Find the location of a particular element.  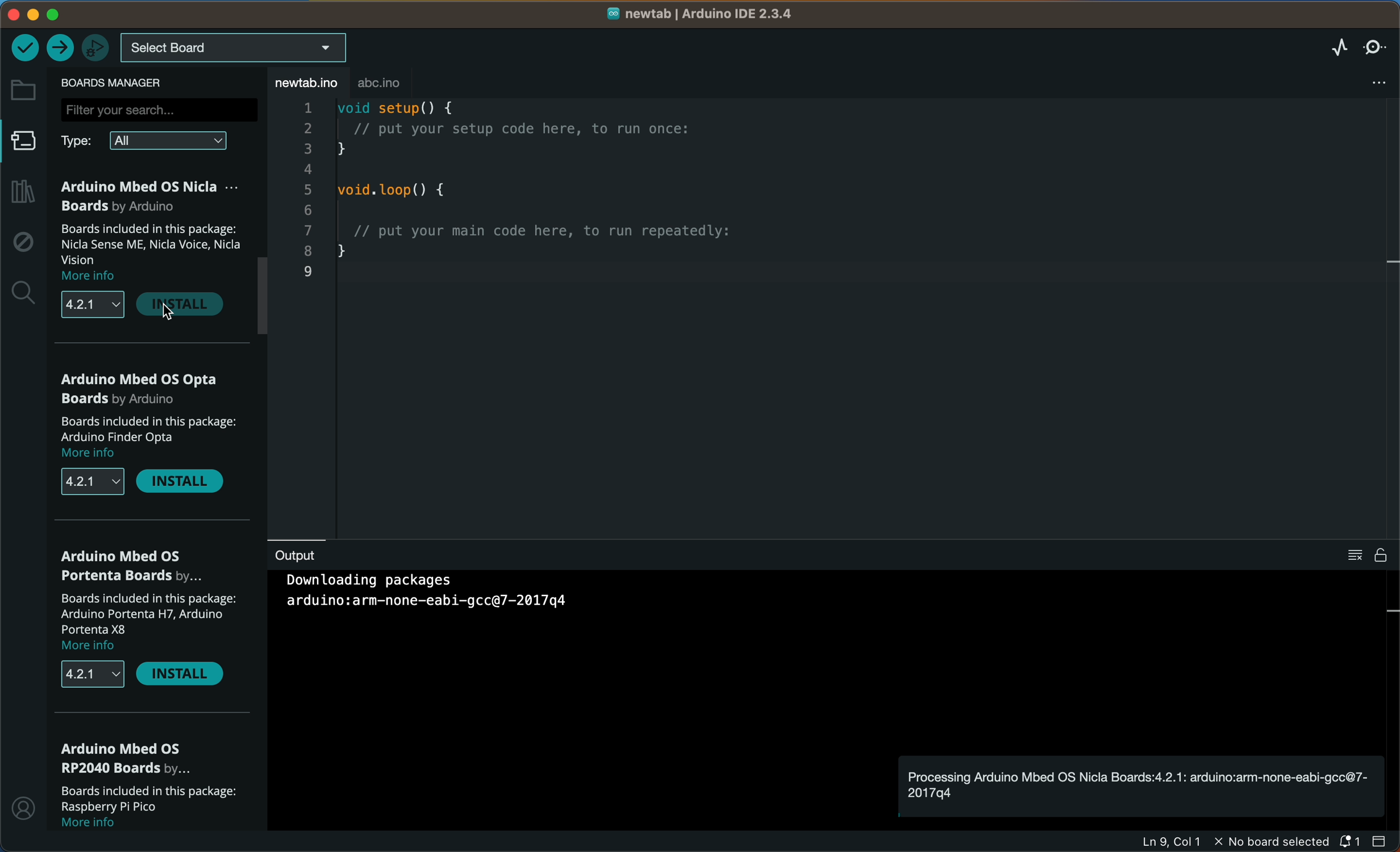

debugger is located at coordinates (98, 46).